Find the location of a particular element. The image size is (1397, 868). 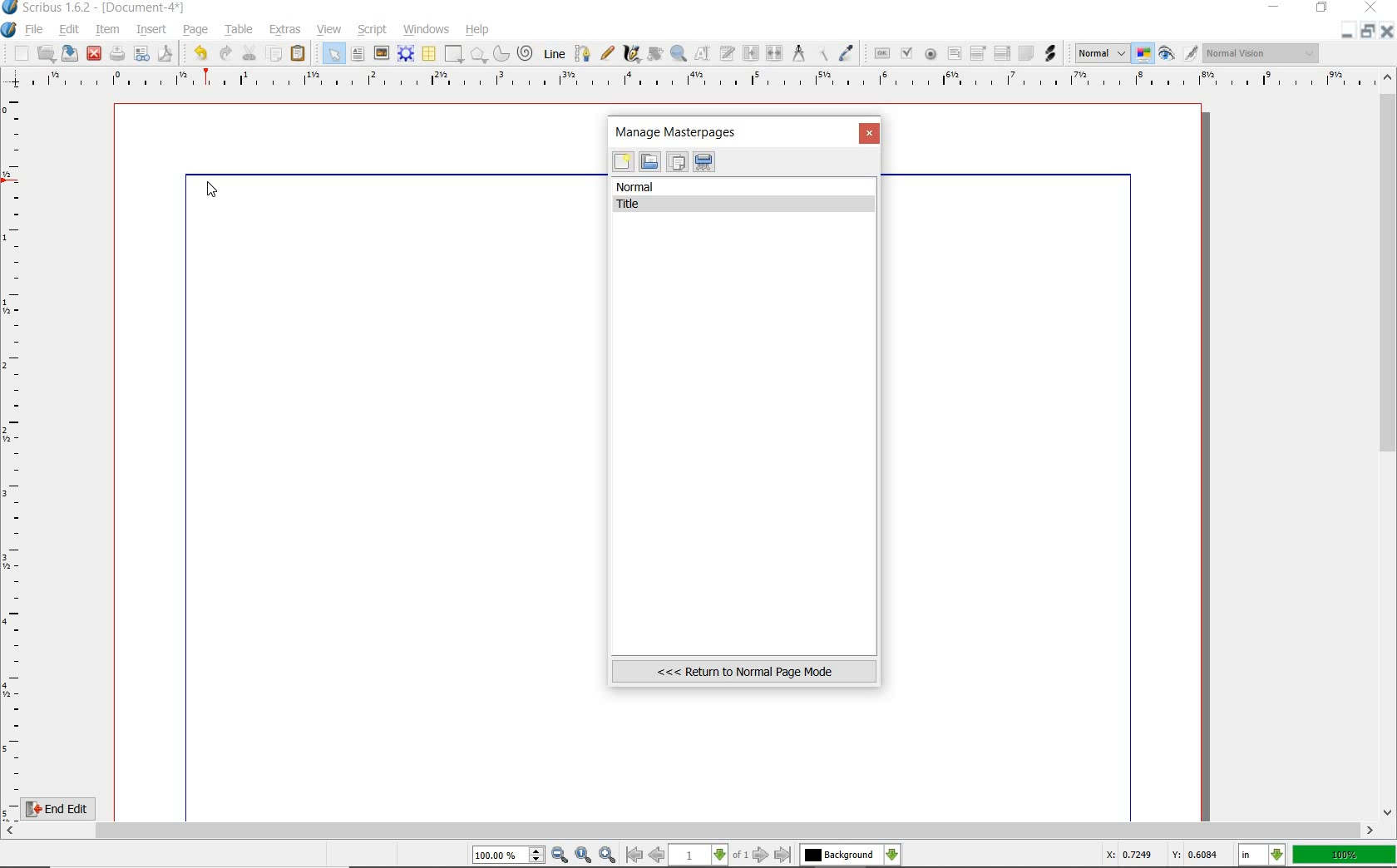

1 is located at coordinates (699, 856).